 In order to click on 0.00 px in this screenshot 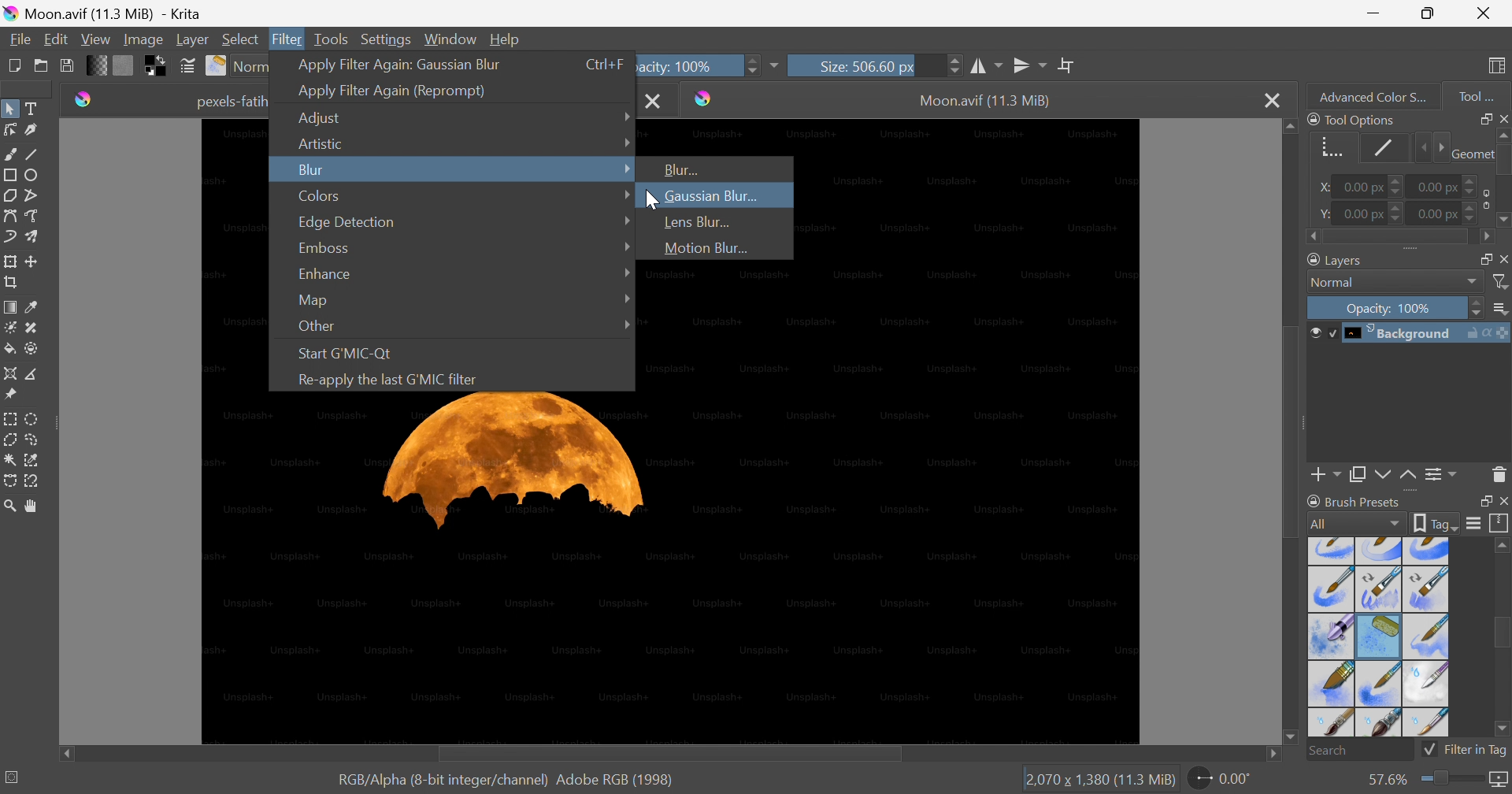, I will do `click(1451, 213)`.